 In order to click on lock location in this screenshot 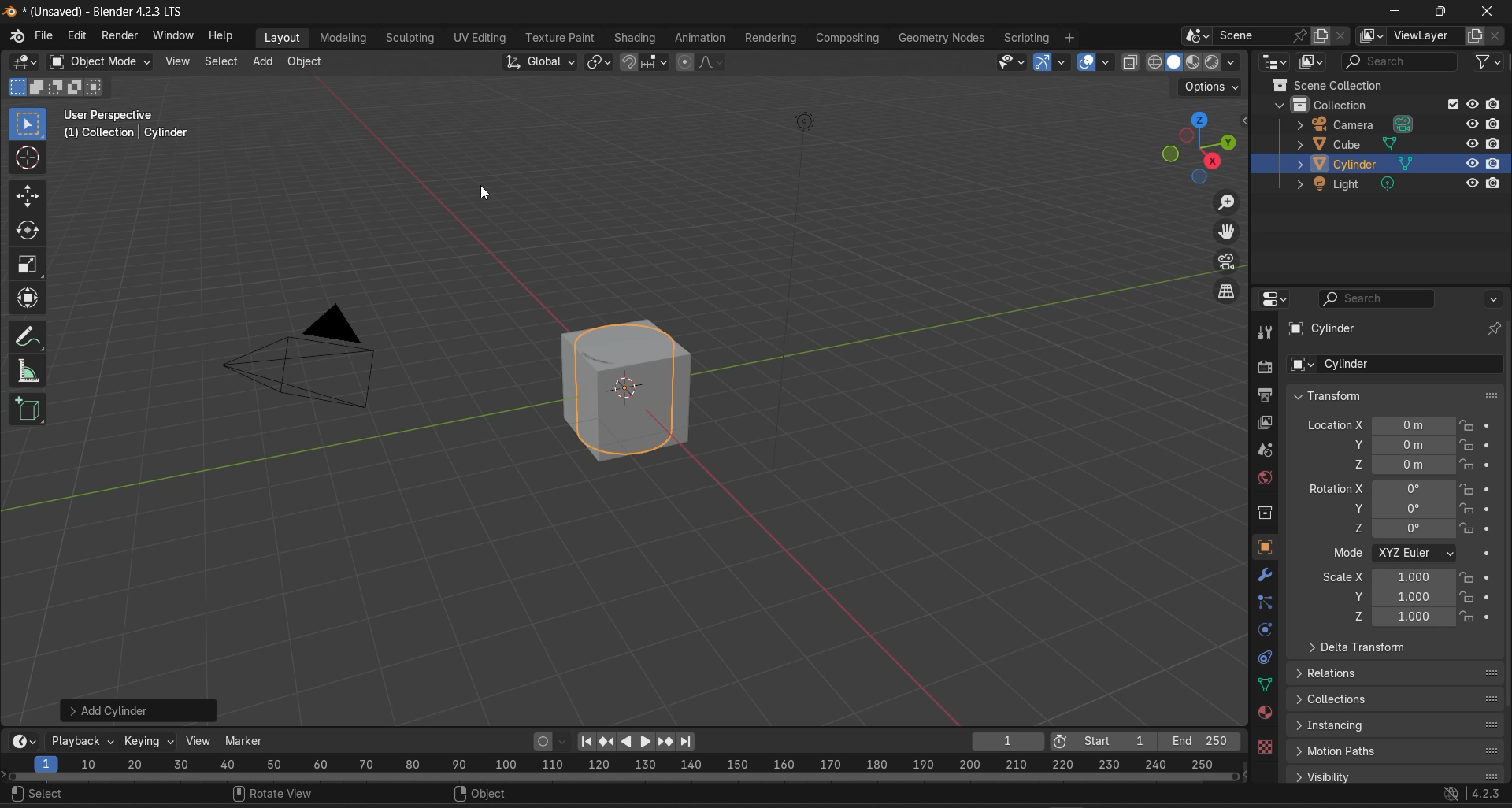, I will do `click(1467, 445)`.